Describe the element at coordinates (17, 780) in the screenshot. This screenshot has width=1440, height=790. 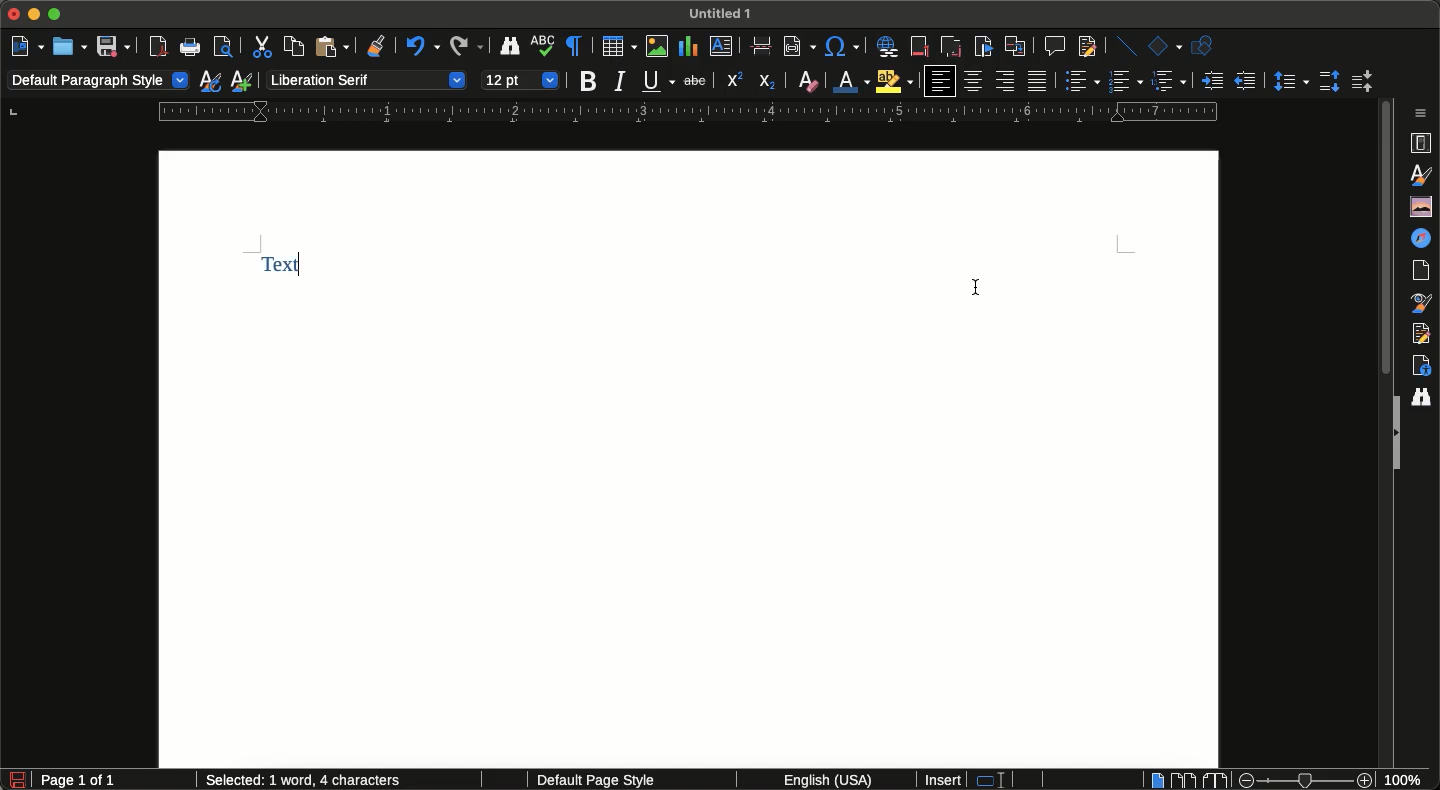
I see `Save` at that location.